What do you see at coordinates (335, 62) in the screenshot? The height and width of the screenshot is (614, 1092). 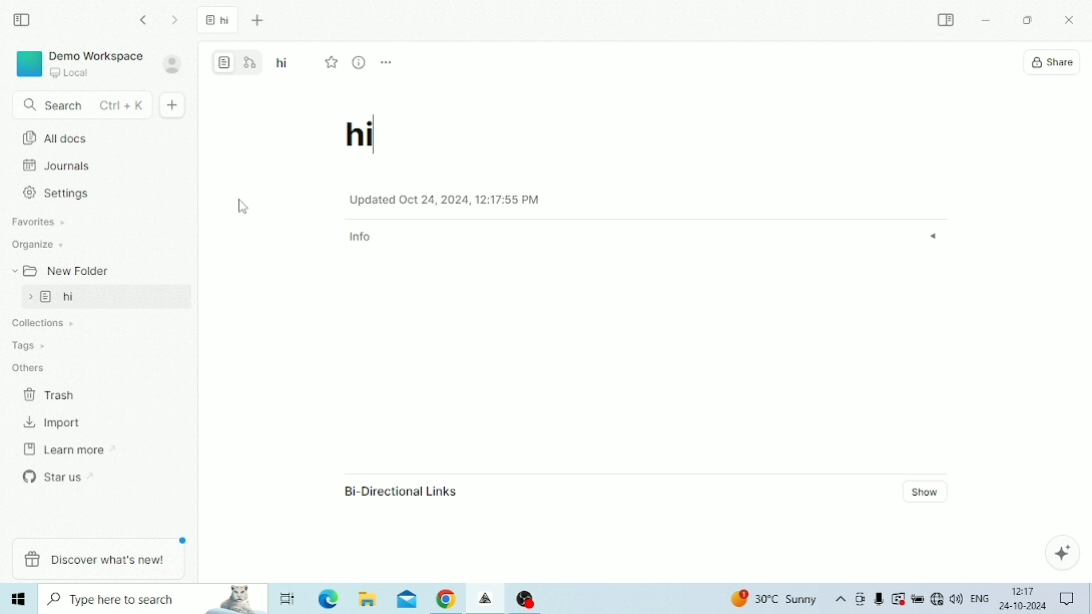 I see `Favourite` at bounding box center [335, 62].